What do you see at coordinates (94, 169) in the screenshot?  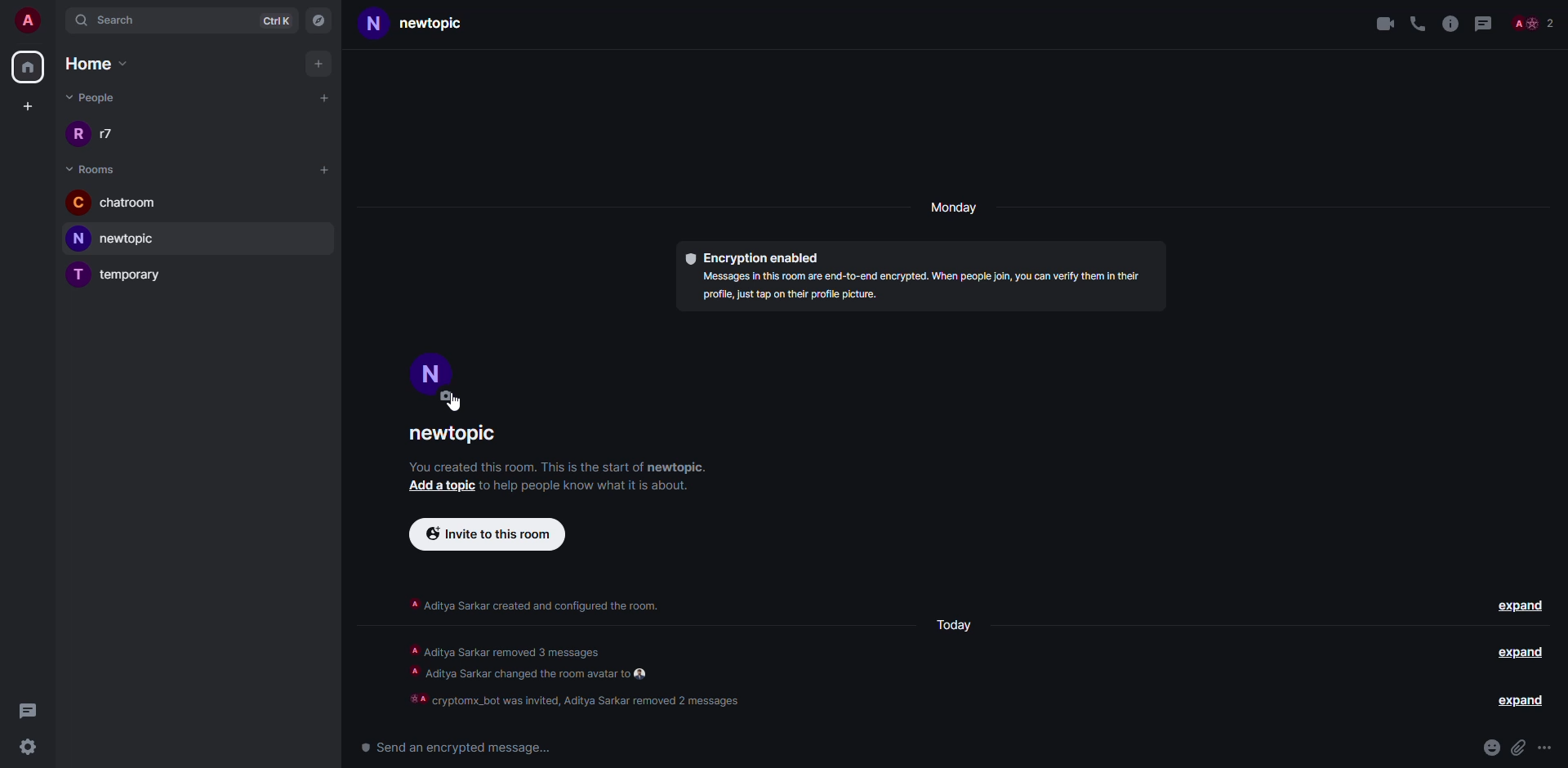 I see `rooms` at bounding box center [94, 169].